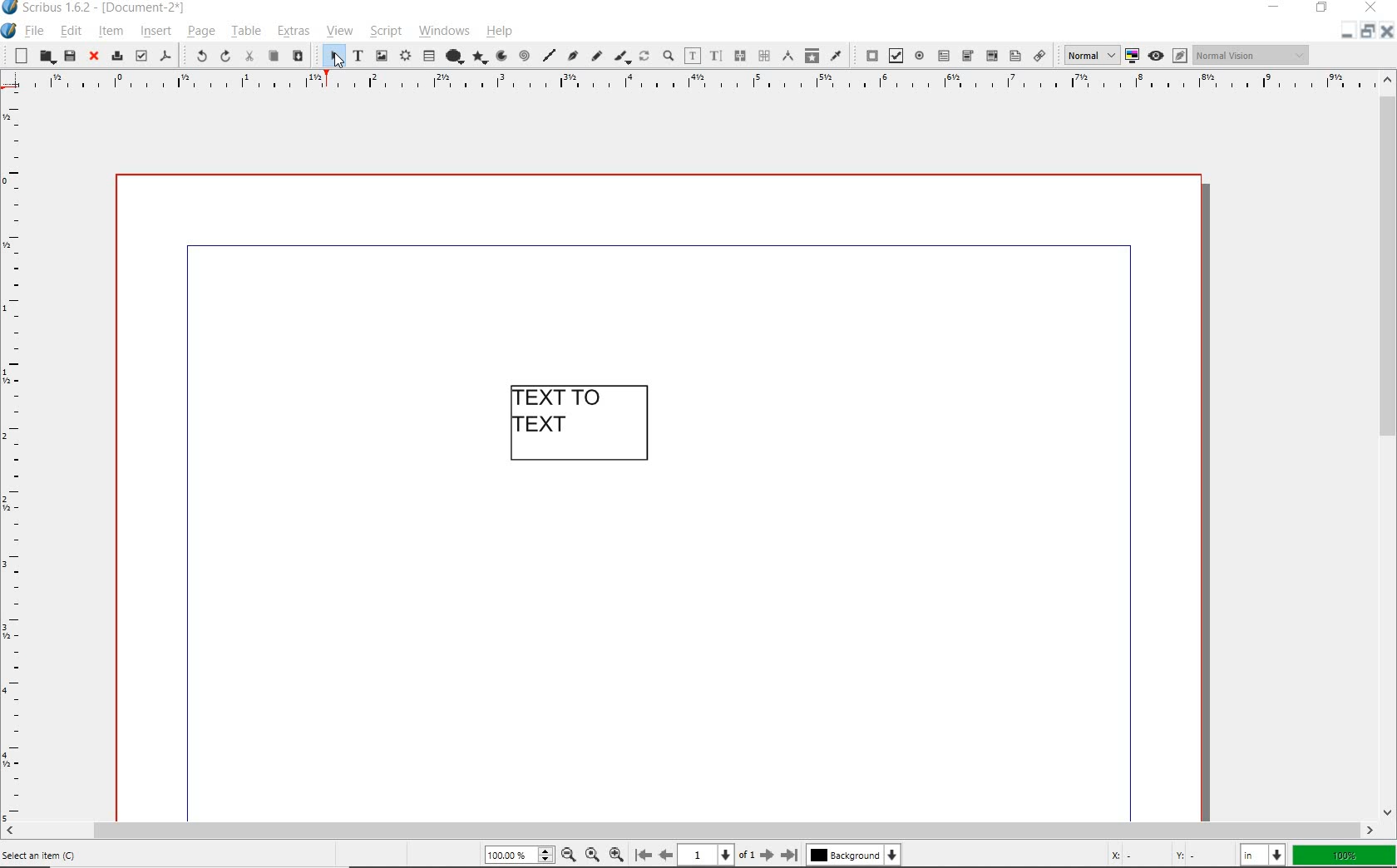 The height and width of the screenshot is (868, 1397). I want to click on visual appearance of display, so click(1251, 55).